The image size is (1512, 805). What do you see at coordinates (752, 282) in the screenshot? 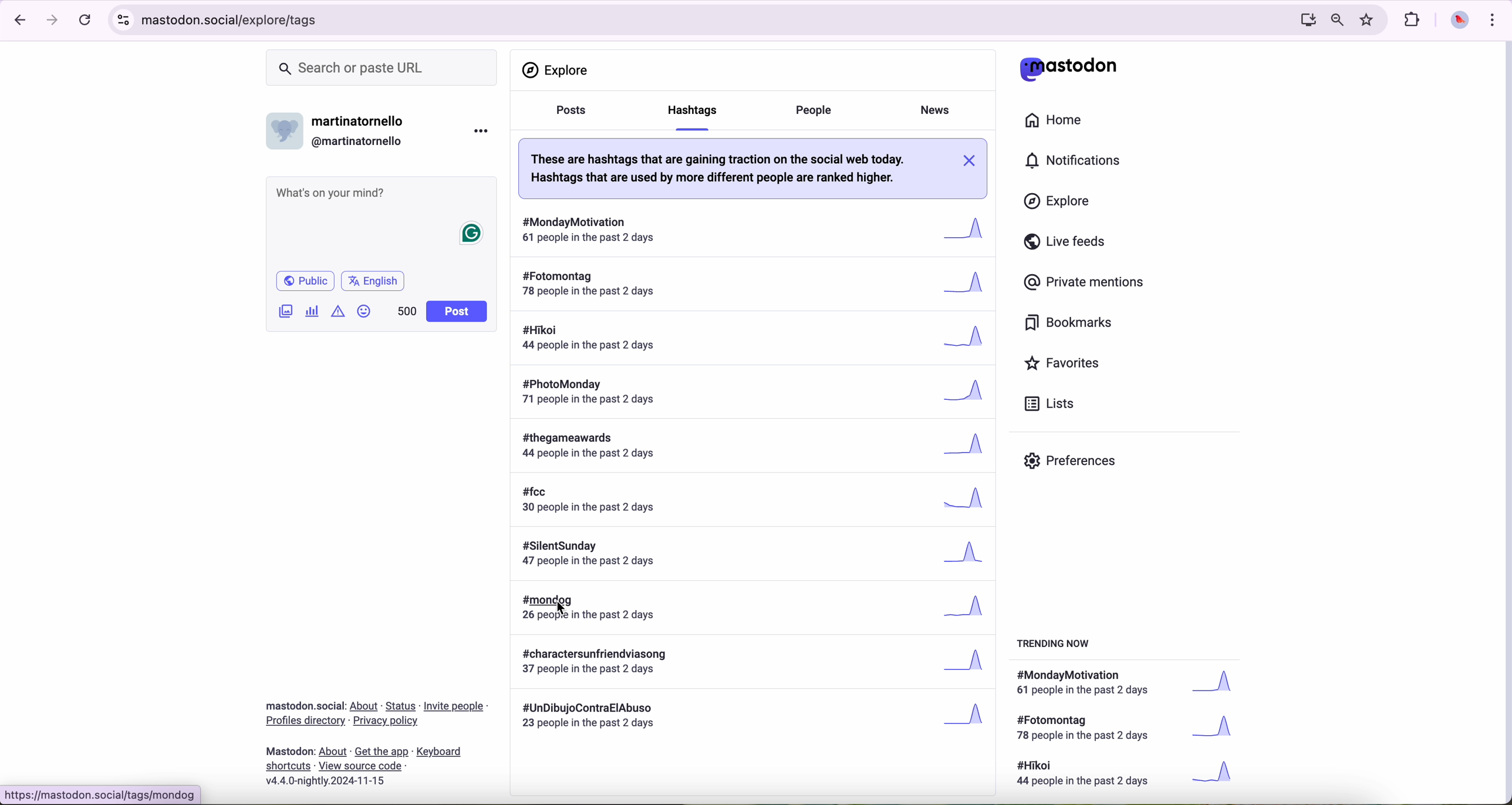
I see `#Fotomontag` at bounding box center [752, 282].